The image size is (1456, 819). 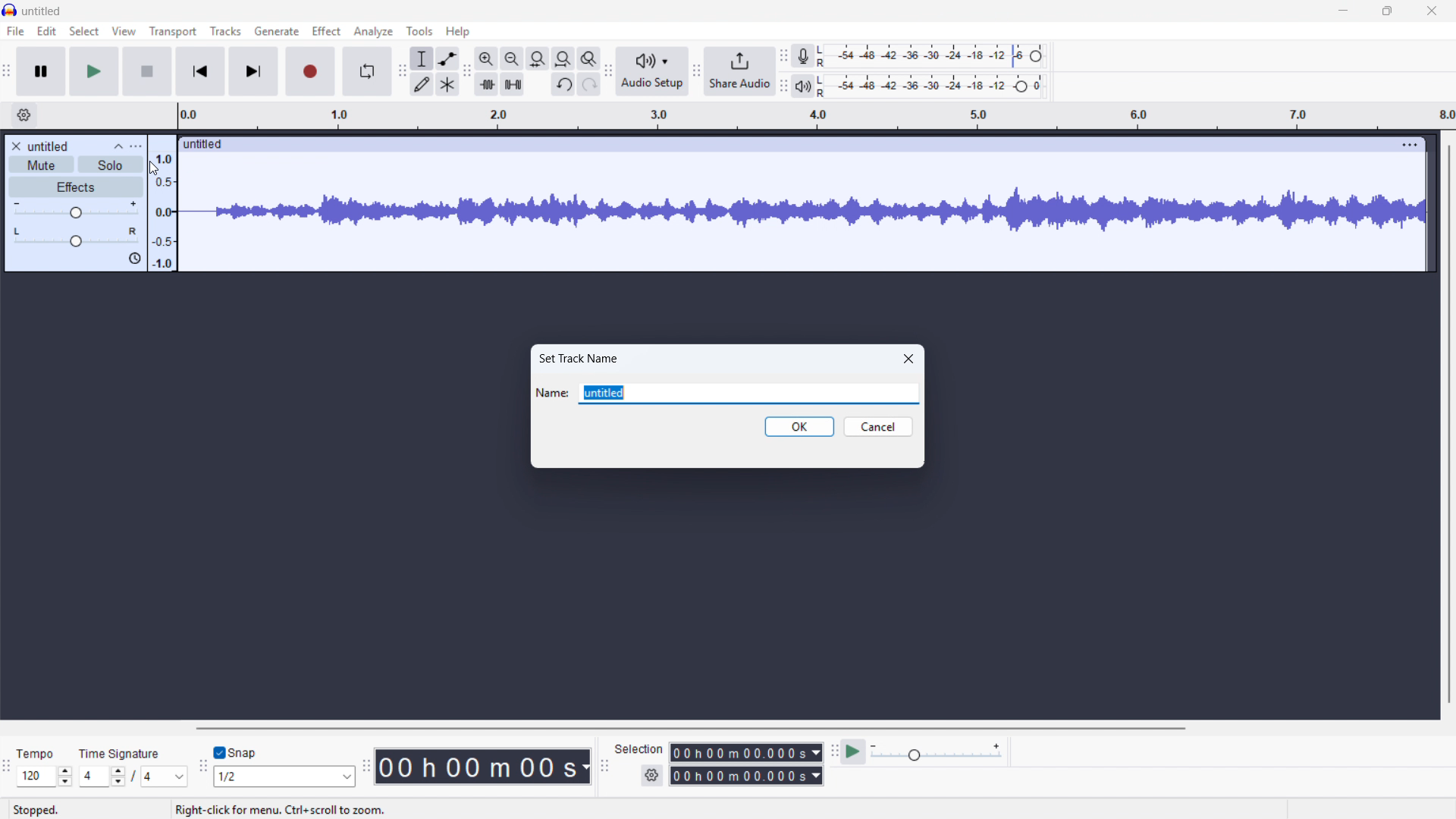 I want to click on Cursor , so click(x=156, y=171).